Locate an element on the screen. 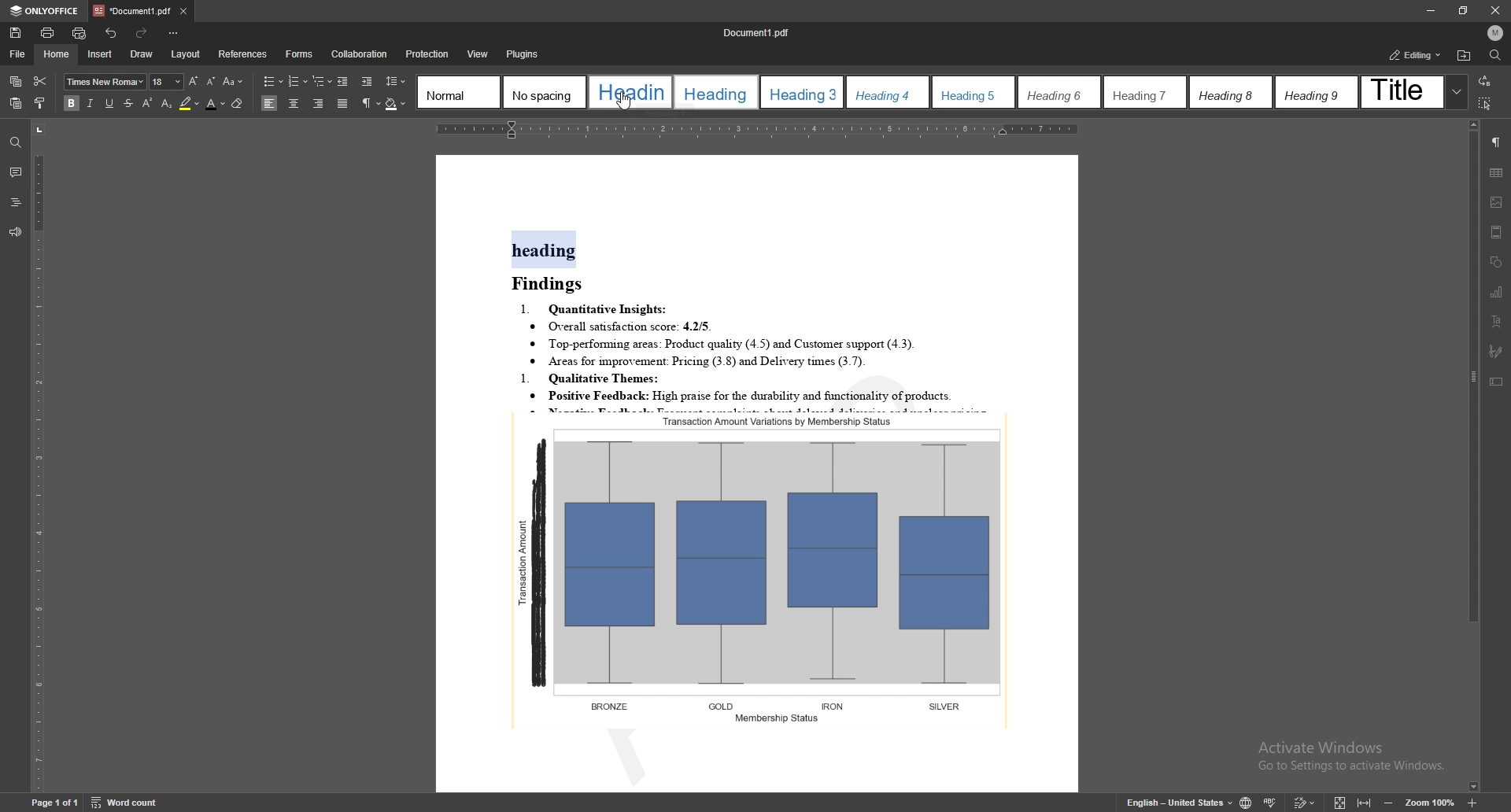 The image size is (1511, 812). non printing characters is located at coordinates (371, 104).